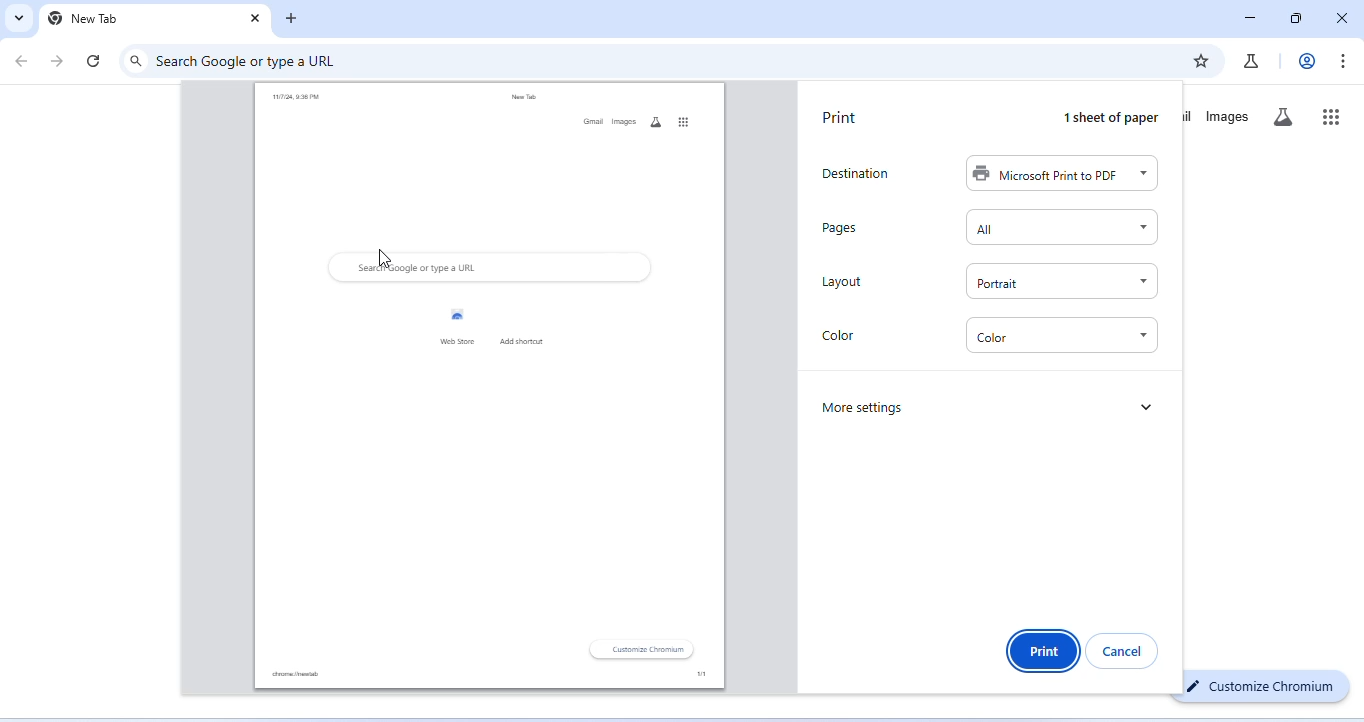  Describe the element at coordinates (1298, 18) in the screenshot. I see `maximize` at that location.